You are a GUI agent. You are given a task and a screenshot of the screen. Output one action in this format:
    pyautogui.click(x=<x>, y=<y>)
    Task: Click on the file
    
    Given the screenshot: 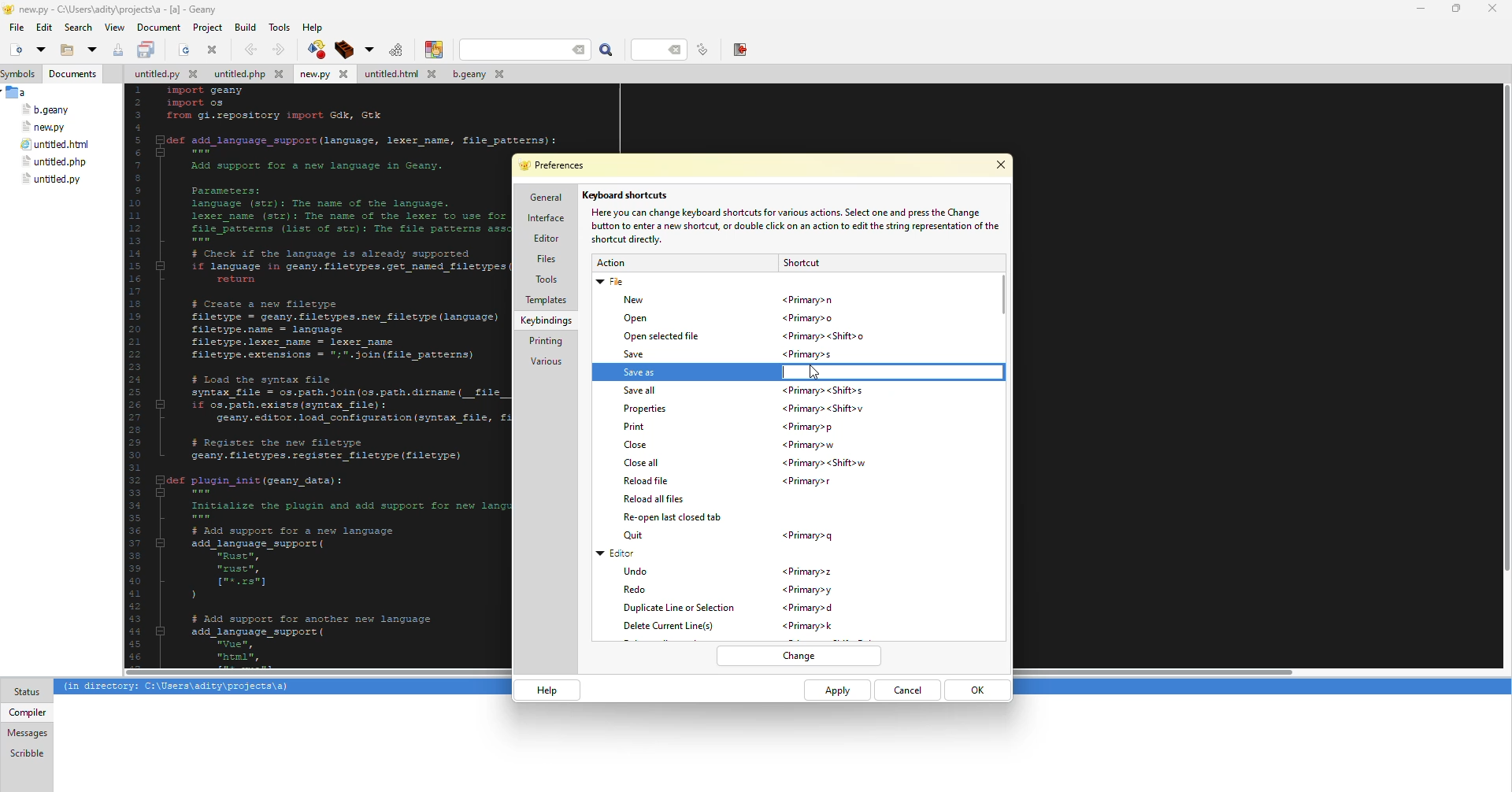 What is the action you would take?
    pyautogui.click(x=611, y=283)
    